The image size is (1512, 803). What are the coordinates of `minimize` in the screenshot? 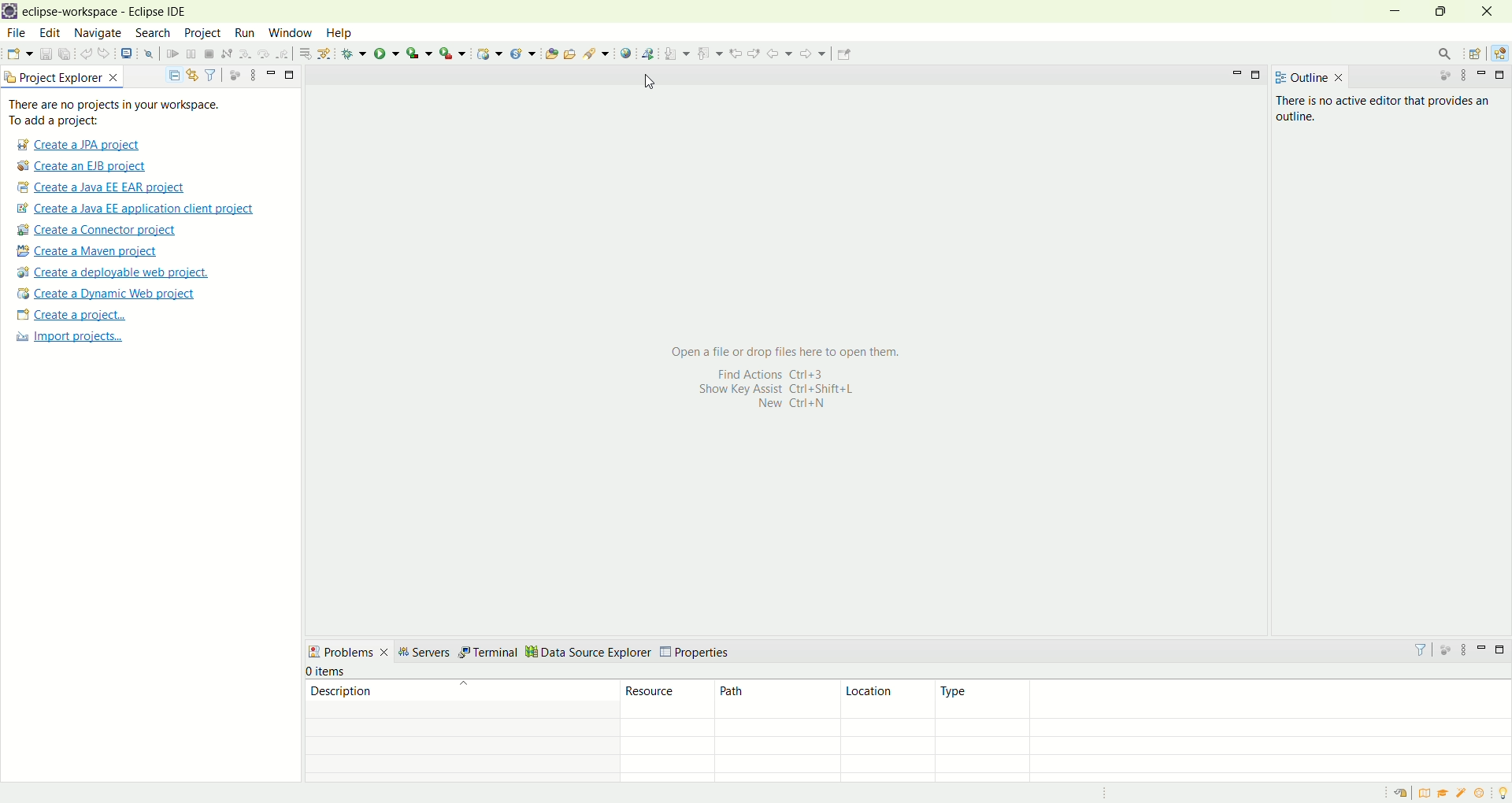 It's located at (1482, 647).